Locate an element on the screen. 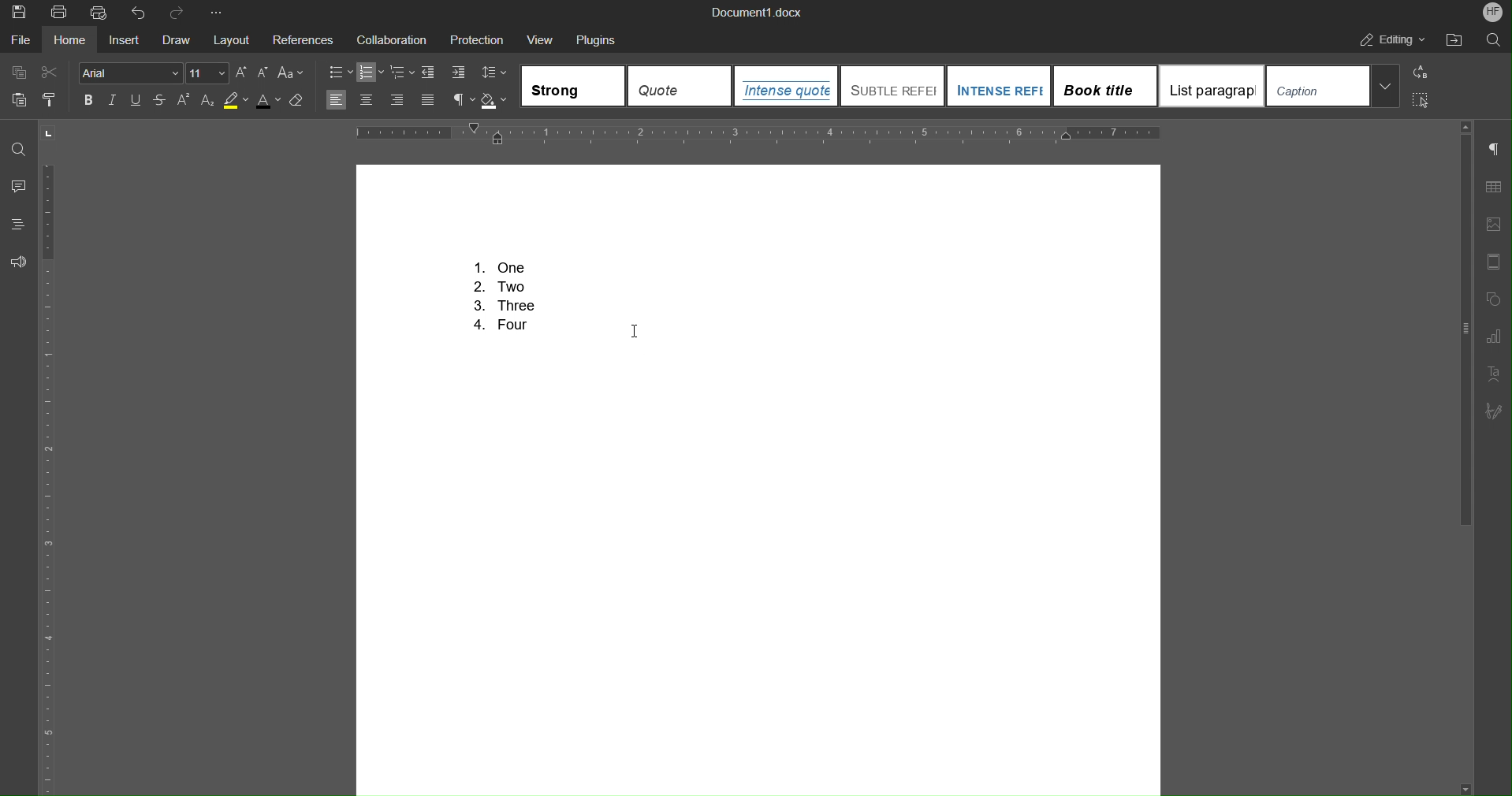 Image resolution: width=1512 pixels, height=796 pixels. Save is located at coordinates (14, 10).